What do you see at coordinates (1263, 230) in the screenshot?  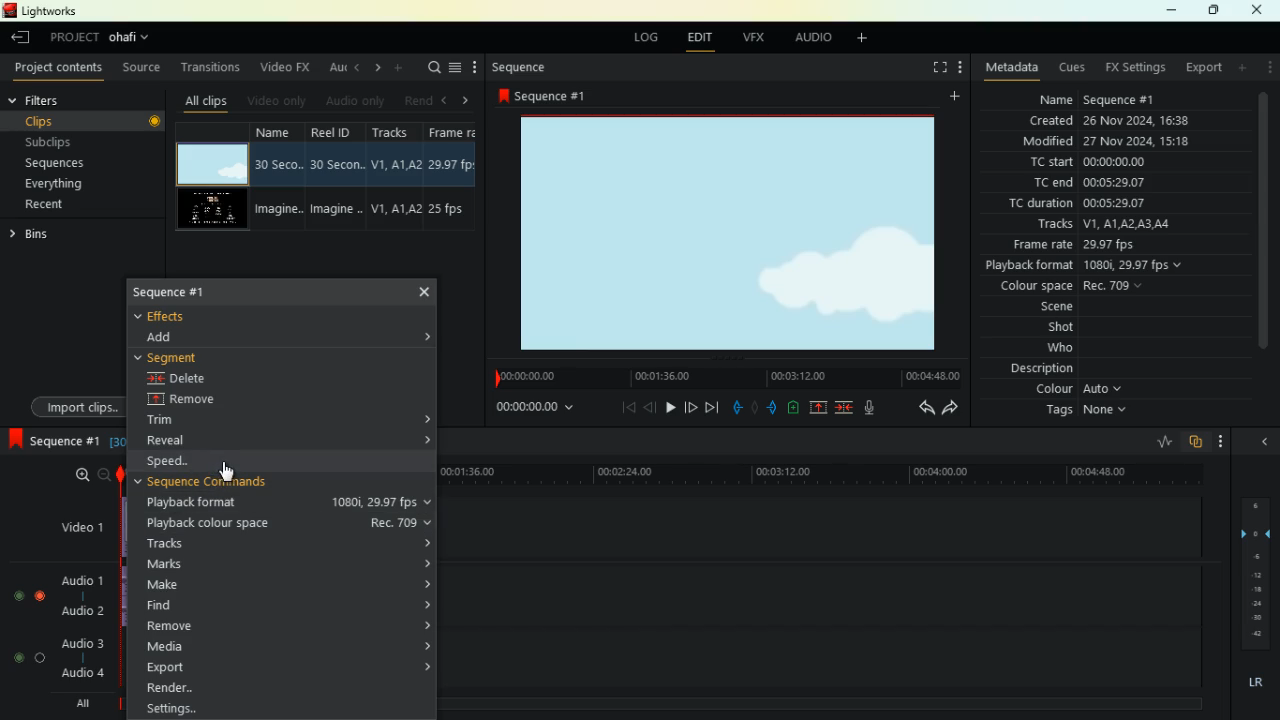 I see `scroll` at bounding box center [1263, 230].